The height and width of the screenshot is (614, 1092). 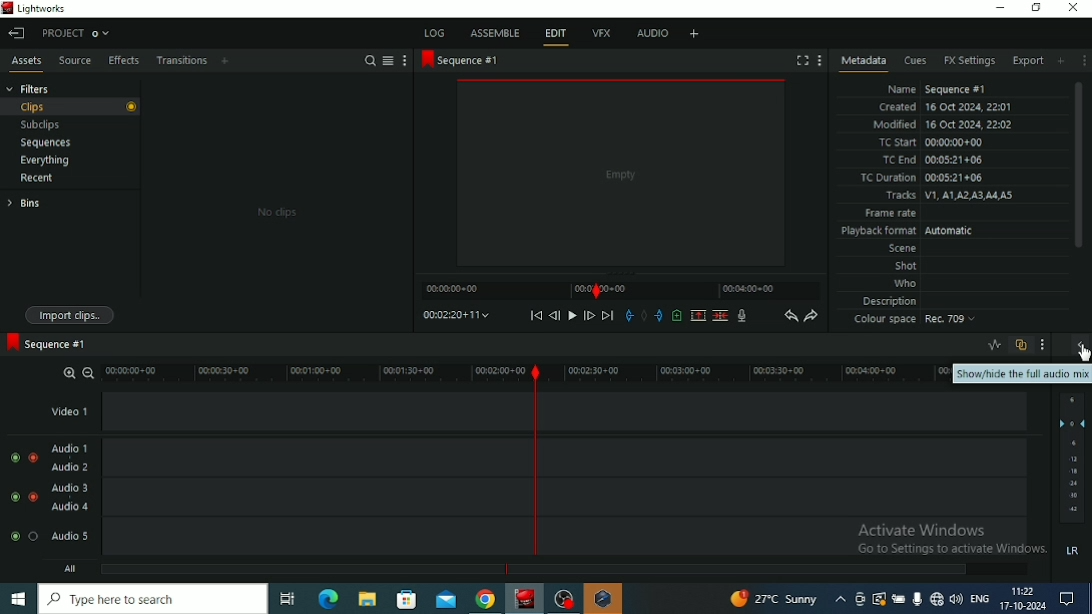 I want to click on Notifications, so click(x=1067, y=599).